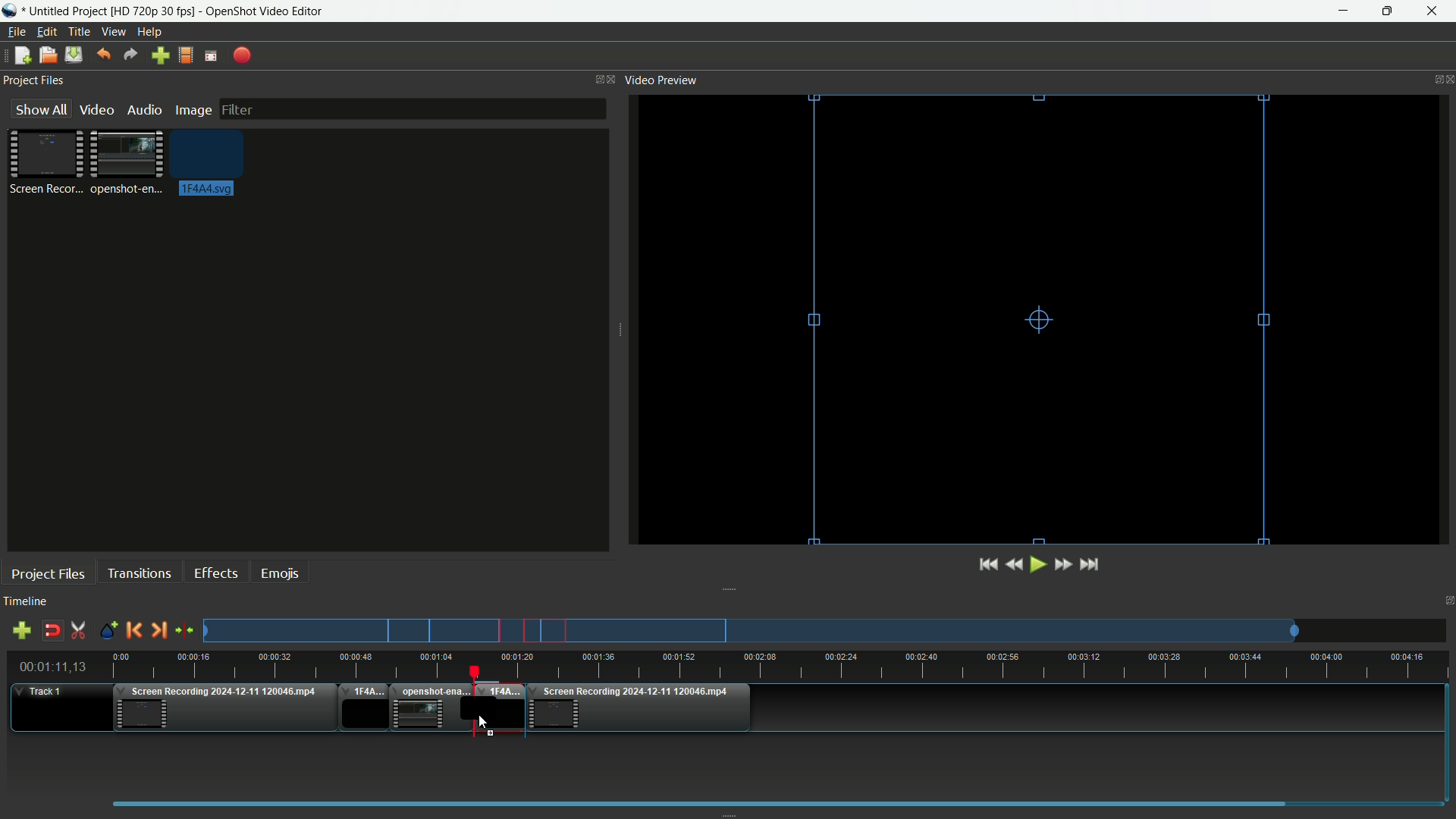 The width and height of the screenshot is (1456, 819). Describe the element at coordinates (157, 631) in the screenshot. I see `Next marker` at that location.